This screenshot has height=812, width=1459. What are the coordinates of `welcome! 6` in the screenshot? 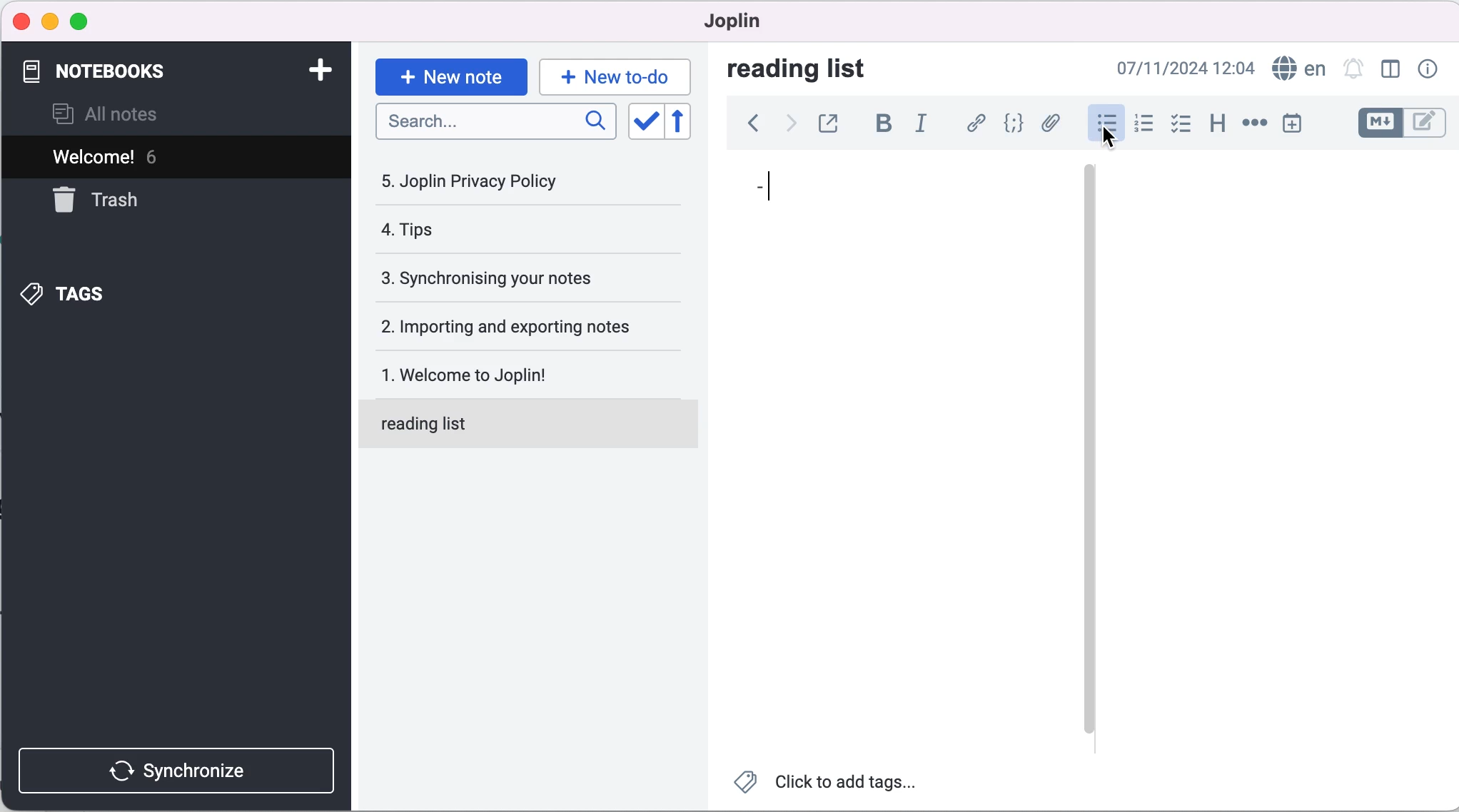 It's located at (158, 158).